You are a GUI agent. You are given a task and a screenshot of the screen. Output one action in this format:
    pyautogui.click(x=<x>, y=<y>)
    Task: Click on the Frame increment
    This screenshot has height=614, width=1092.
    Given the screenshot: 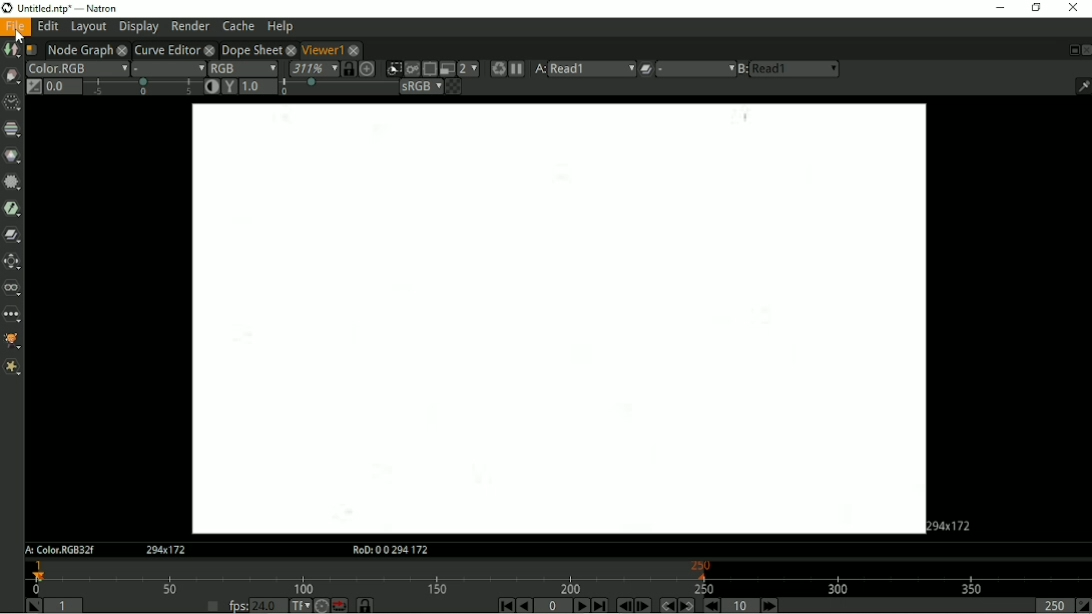 What is the action you would take?
    pyautogui.click(x=741, y=606)
    